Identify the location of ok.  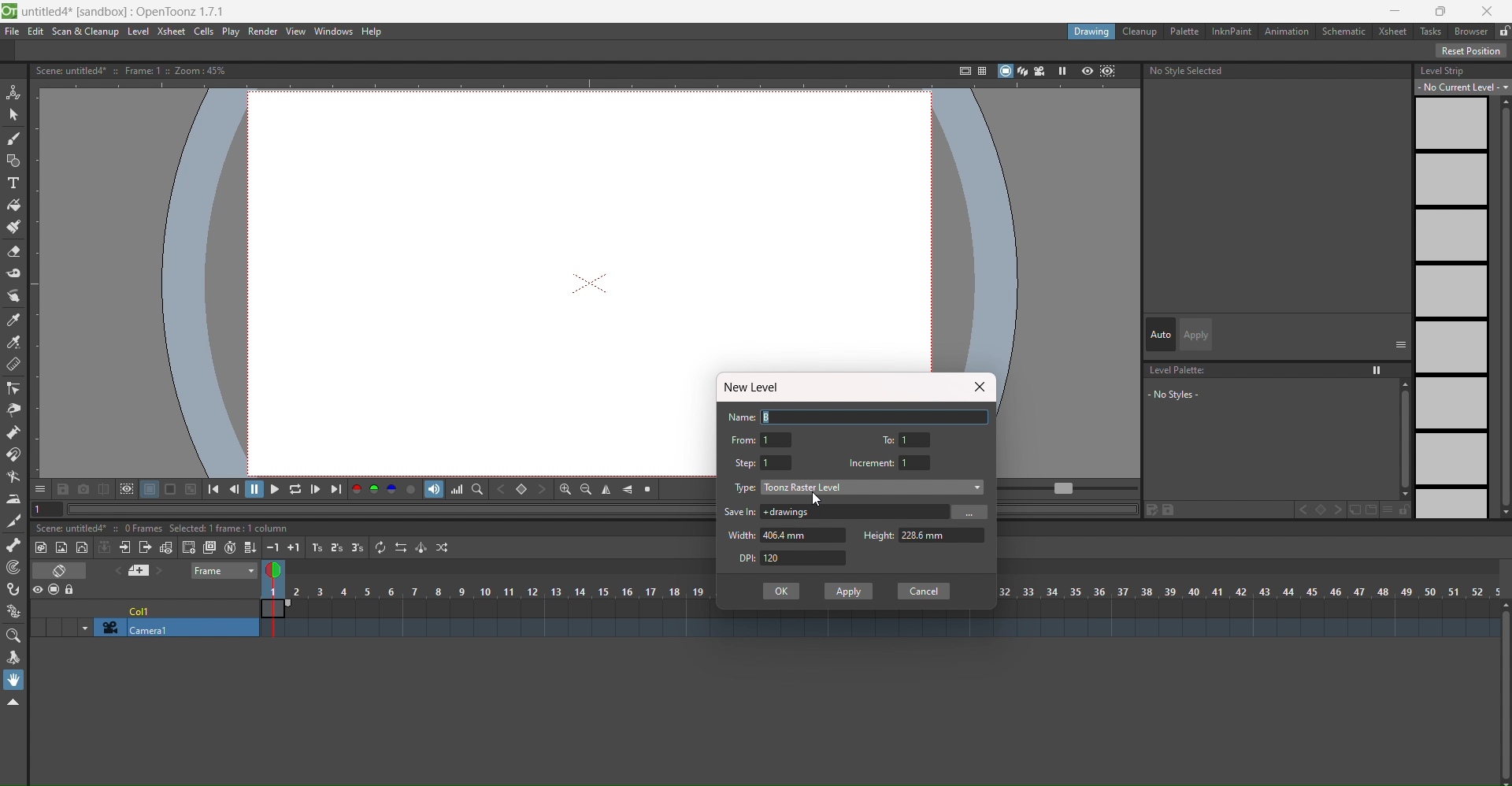
(781, 591).